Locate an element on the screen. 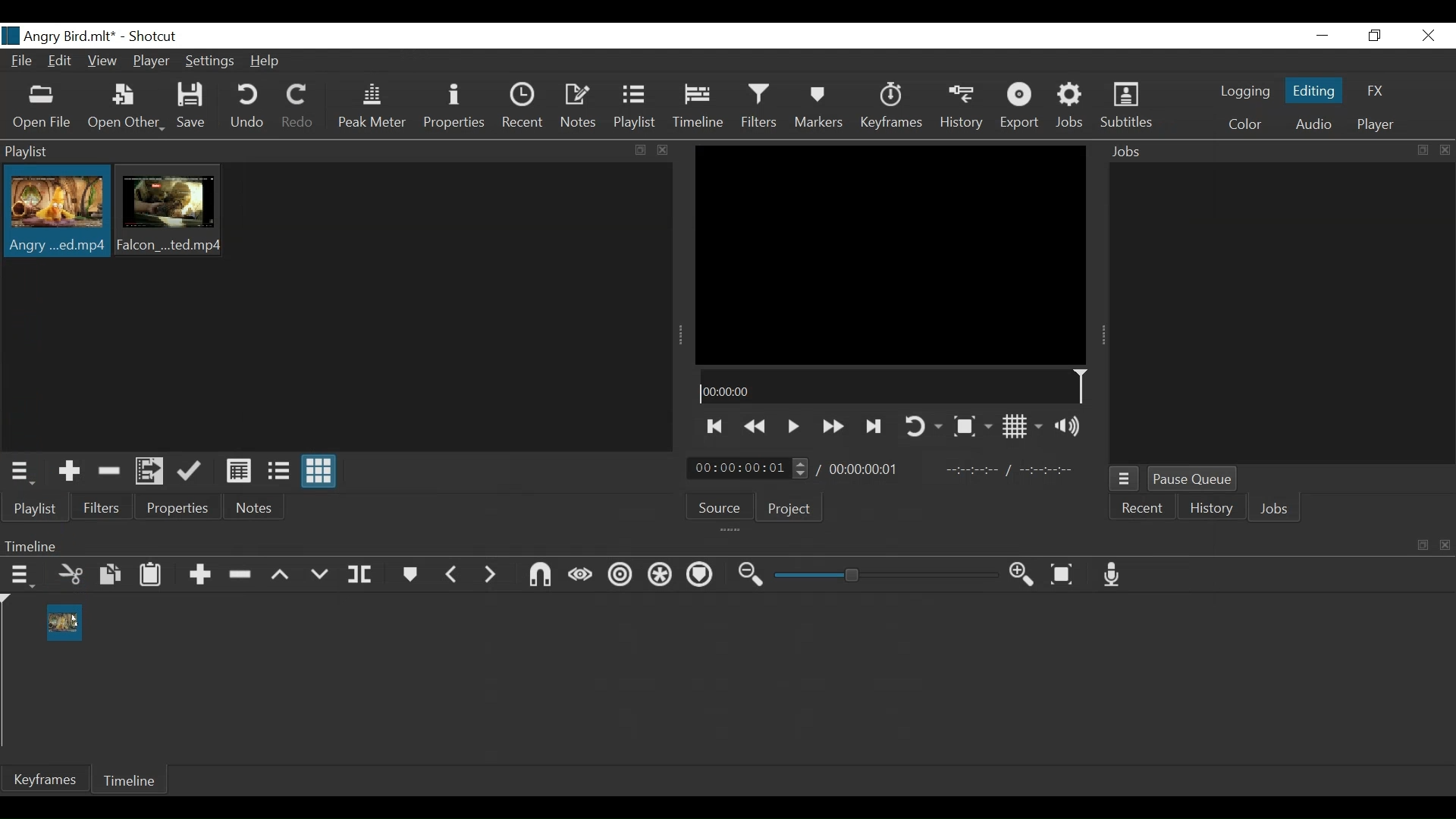  Minimize is located at coordinates (1323, 35).